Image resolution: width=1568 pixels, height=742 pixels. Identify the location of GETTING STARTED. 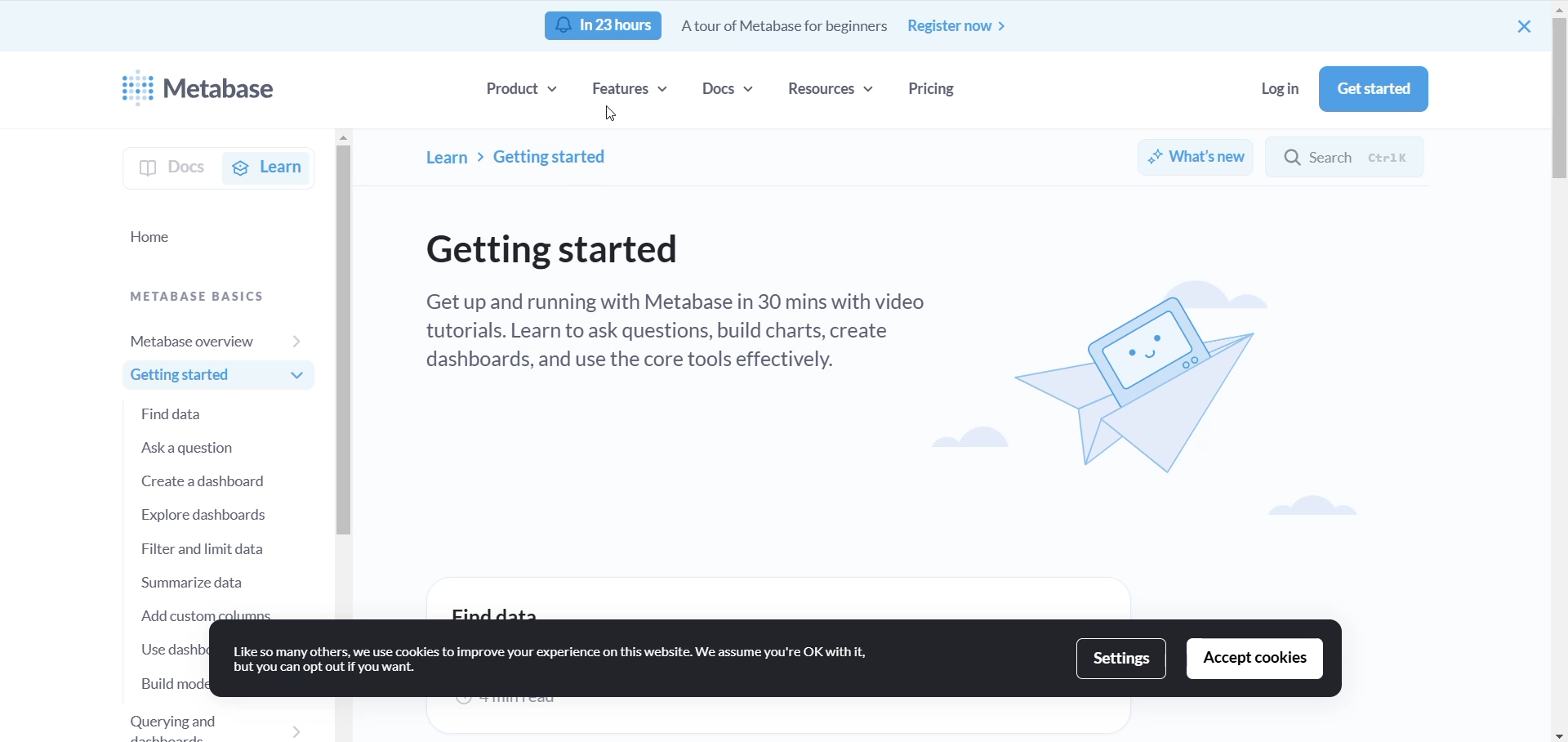
(212, 379).